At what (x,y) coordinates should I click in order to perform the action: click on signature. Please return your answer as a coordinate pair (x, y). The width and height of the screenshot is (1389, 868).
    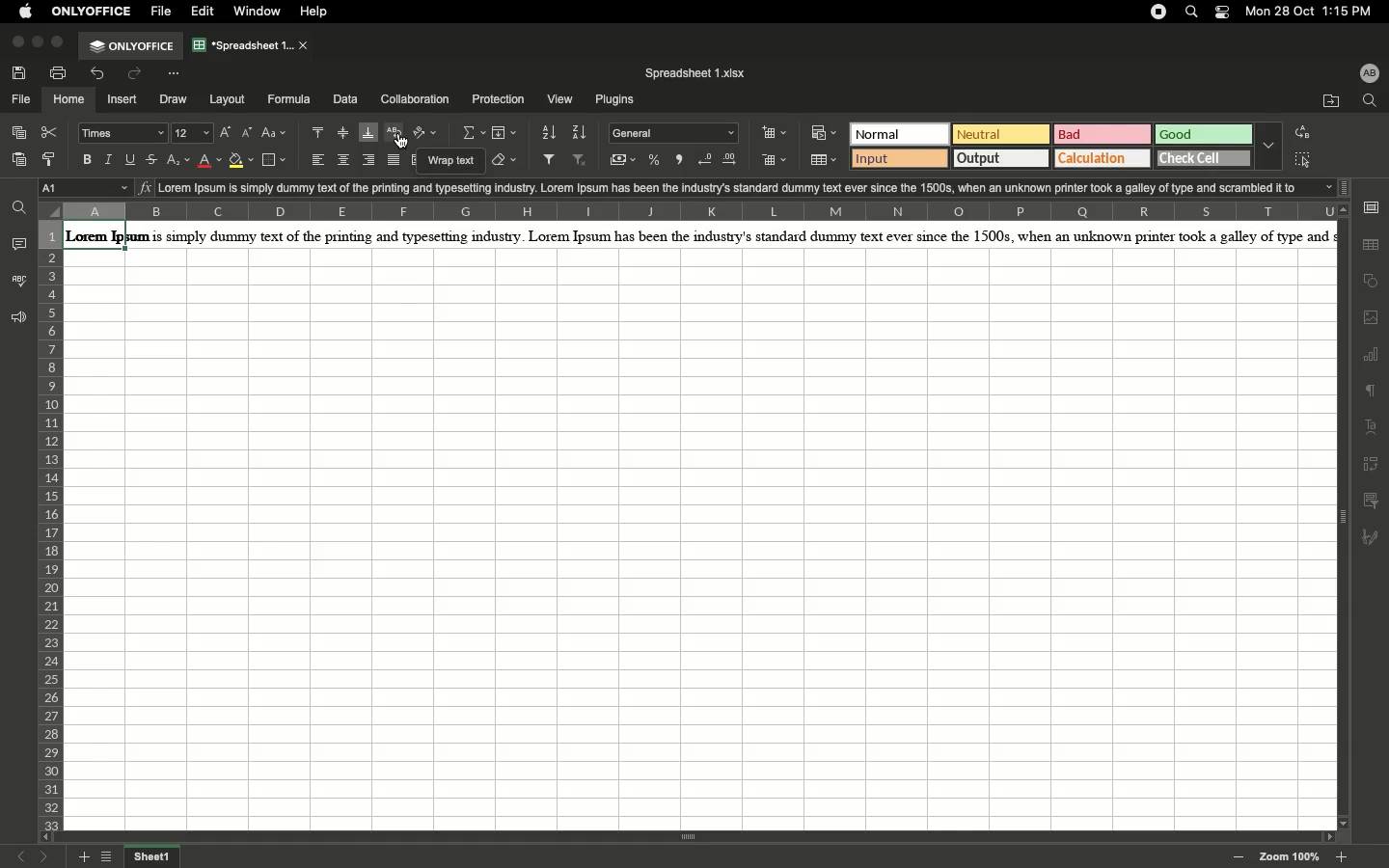
    Looking at the image, I should click on (1375, 536).